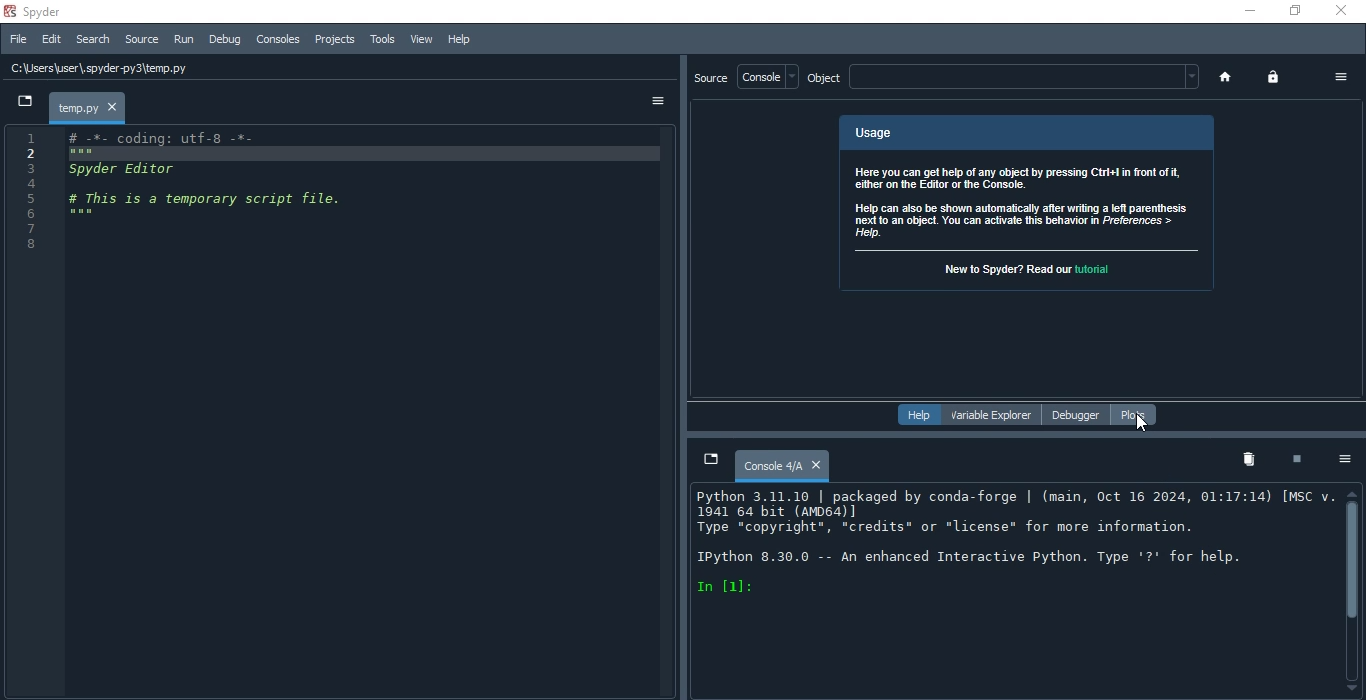 This screenshot has height=700, width=1366. Describe the element at coordinates (1291, 10) in the screenshot. I see `restore` at that location.